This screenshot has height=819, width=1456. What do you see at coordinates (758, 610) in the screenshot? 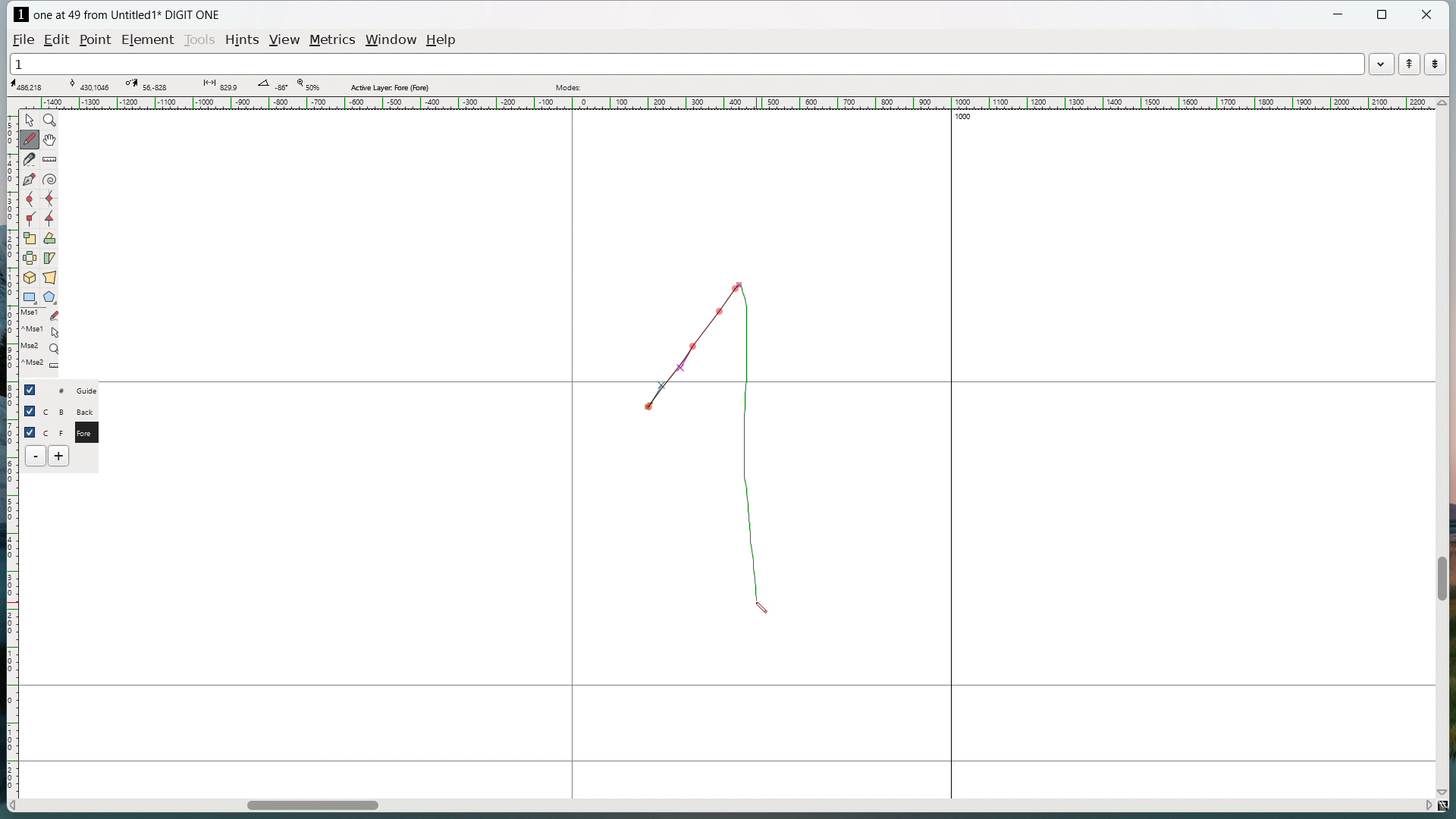
I see `cursor` at bounding box center [758, 610].